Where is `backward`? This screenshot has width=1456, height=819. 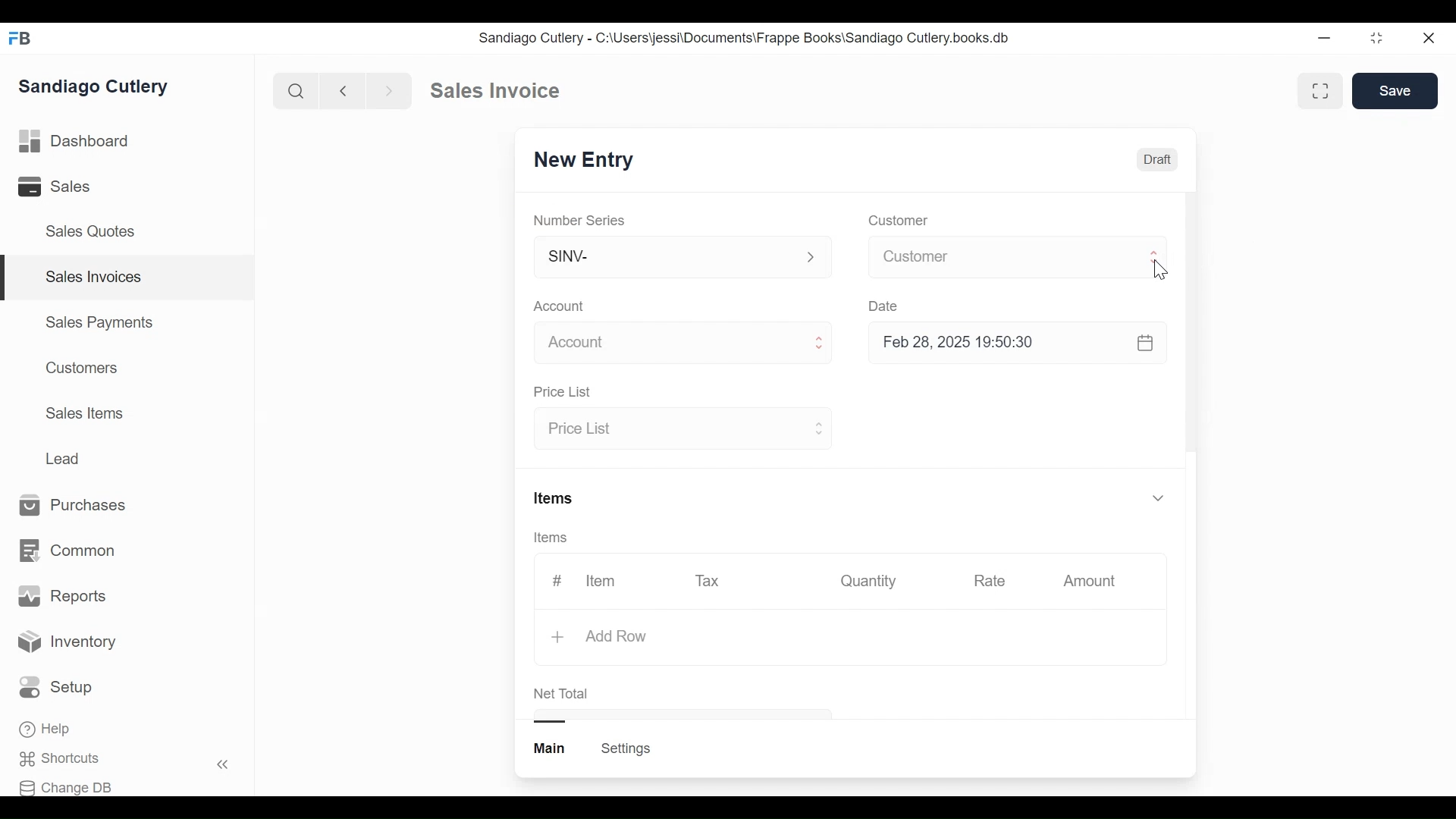
backward is located at coordinates (344, 90).